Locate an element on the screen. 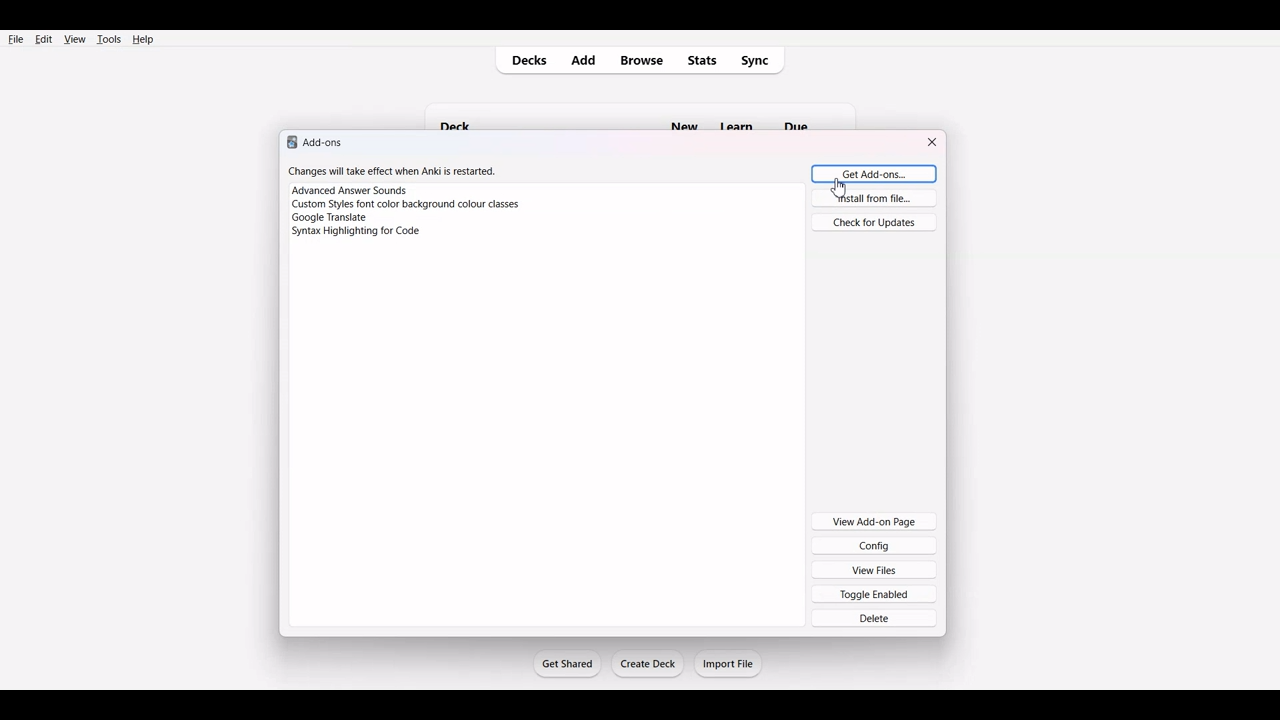 Image resolution: width=1280 pixels, height=720 pixels. Decks is located at coordinates (525, 61).